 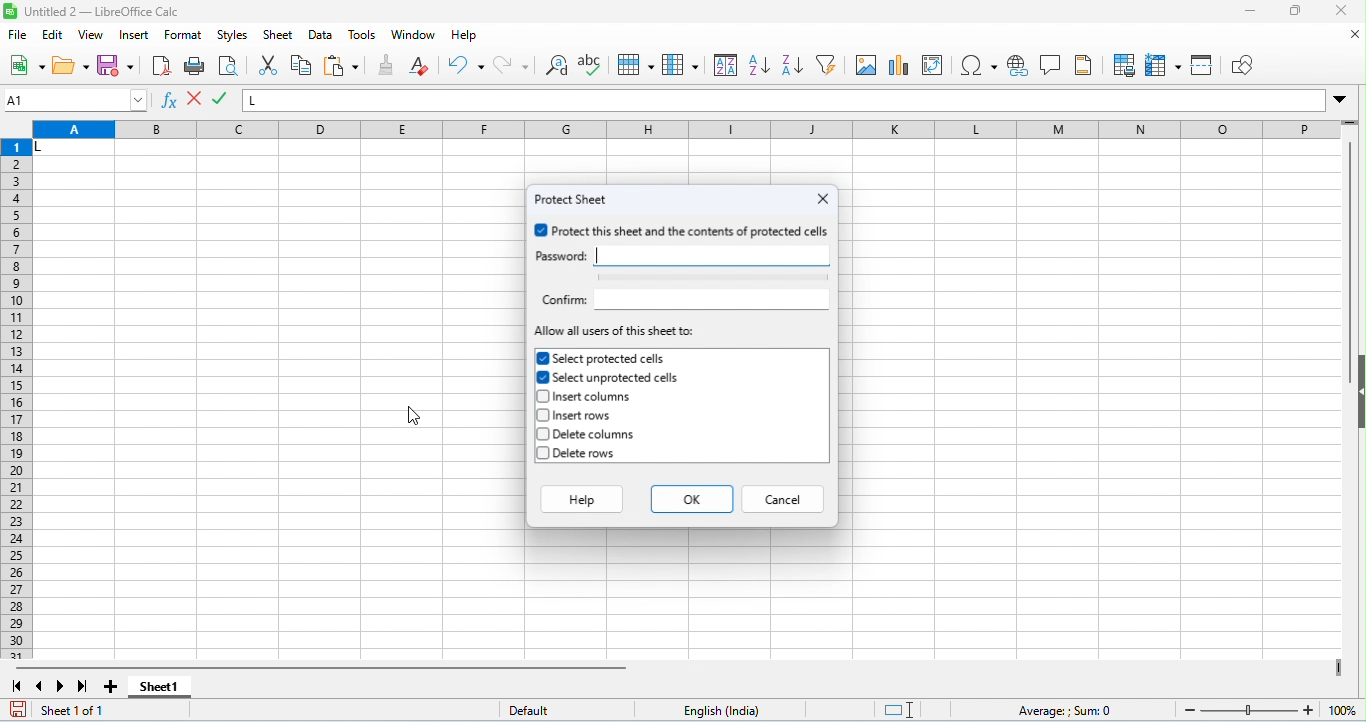 I want to click on default, so click(x=539, y=711).